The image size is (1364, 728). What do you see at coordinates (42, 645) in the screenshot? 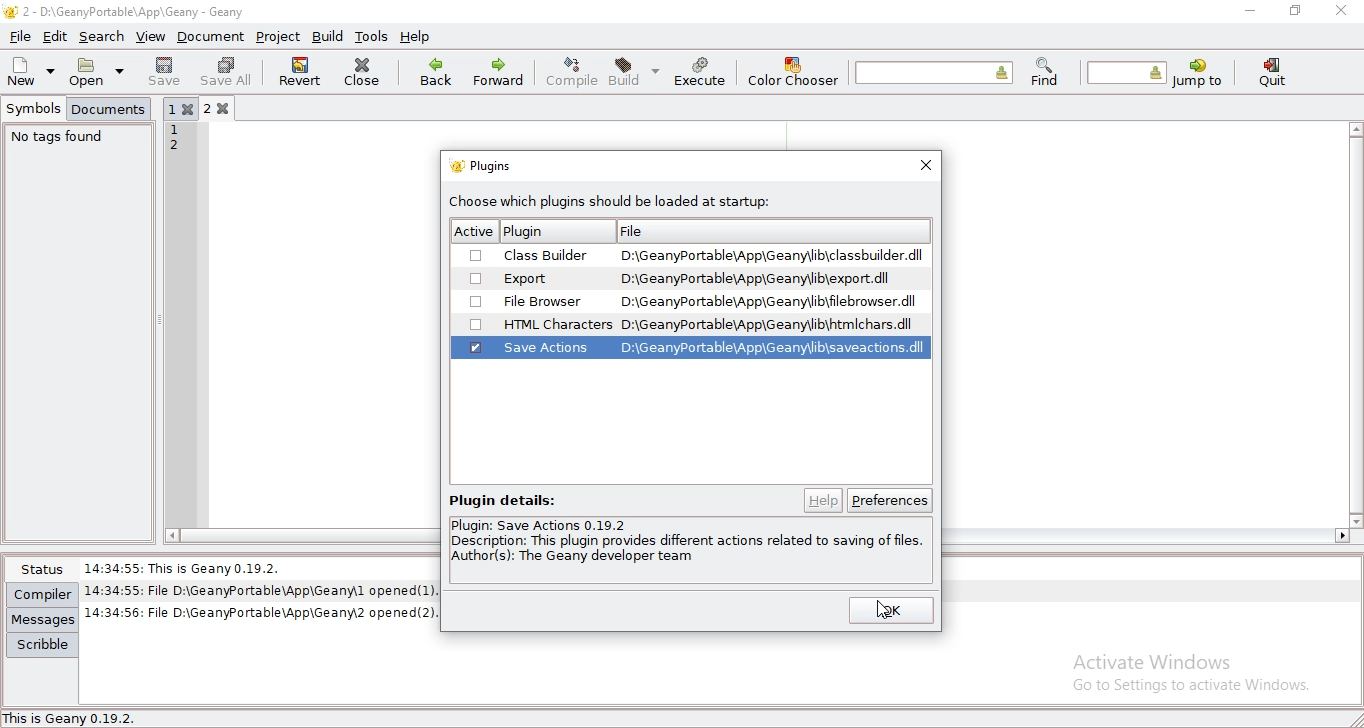
I see `scribble` at bounding box center [42, 645].